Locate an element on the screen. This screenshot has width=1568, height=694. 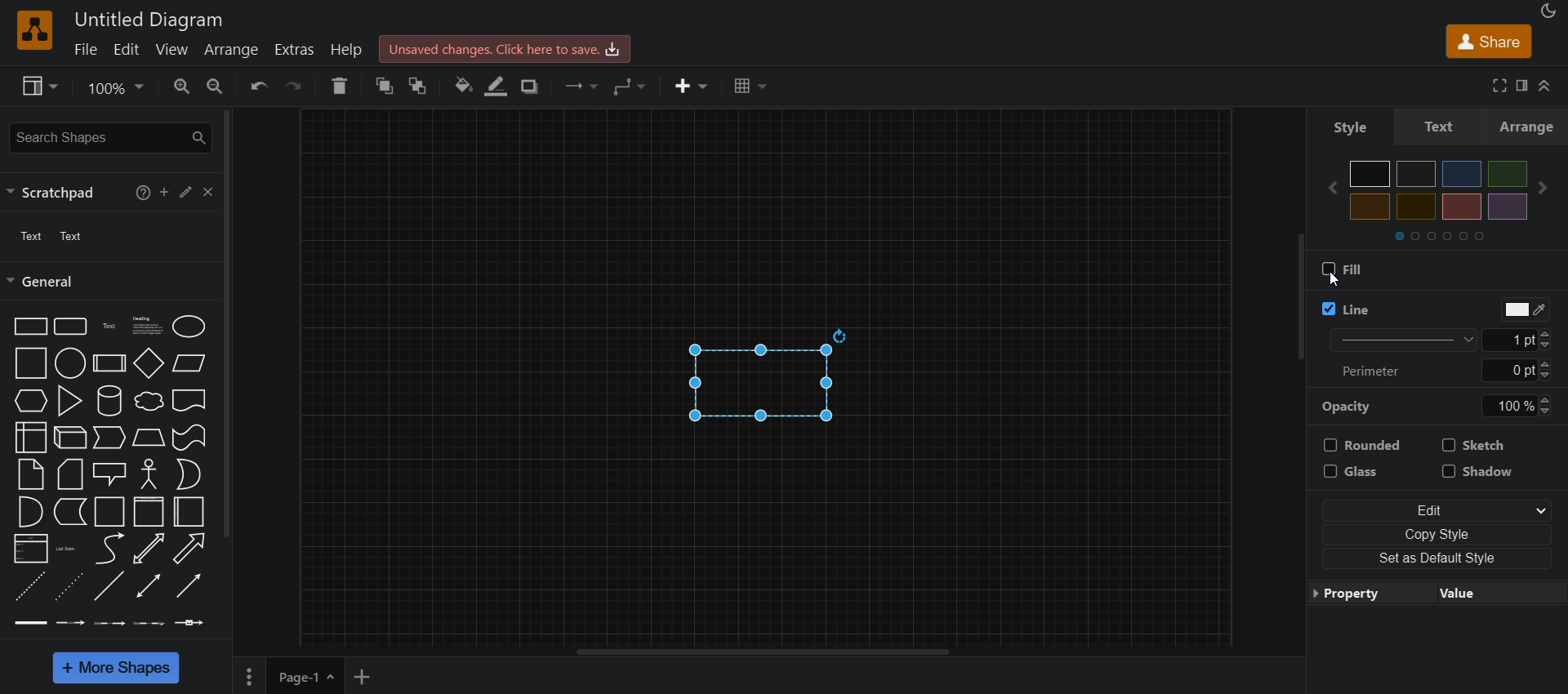
white is located at coordinates (1370, 173).